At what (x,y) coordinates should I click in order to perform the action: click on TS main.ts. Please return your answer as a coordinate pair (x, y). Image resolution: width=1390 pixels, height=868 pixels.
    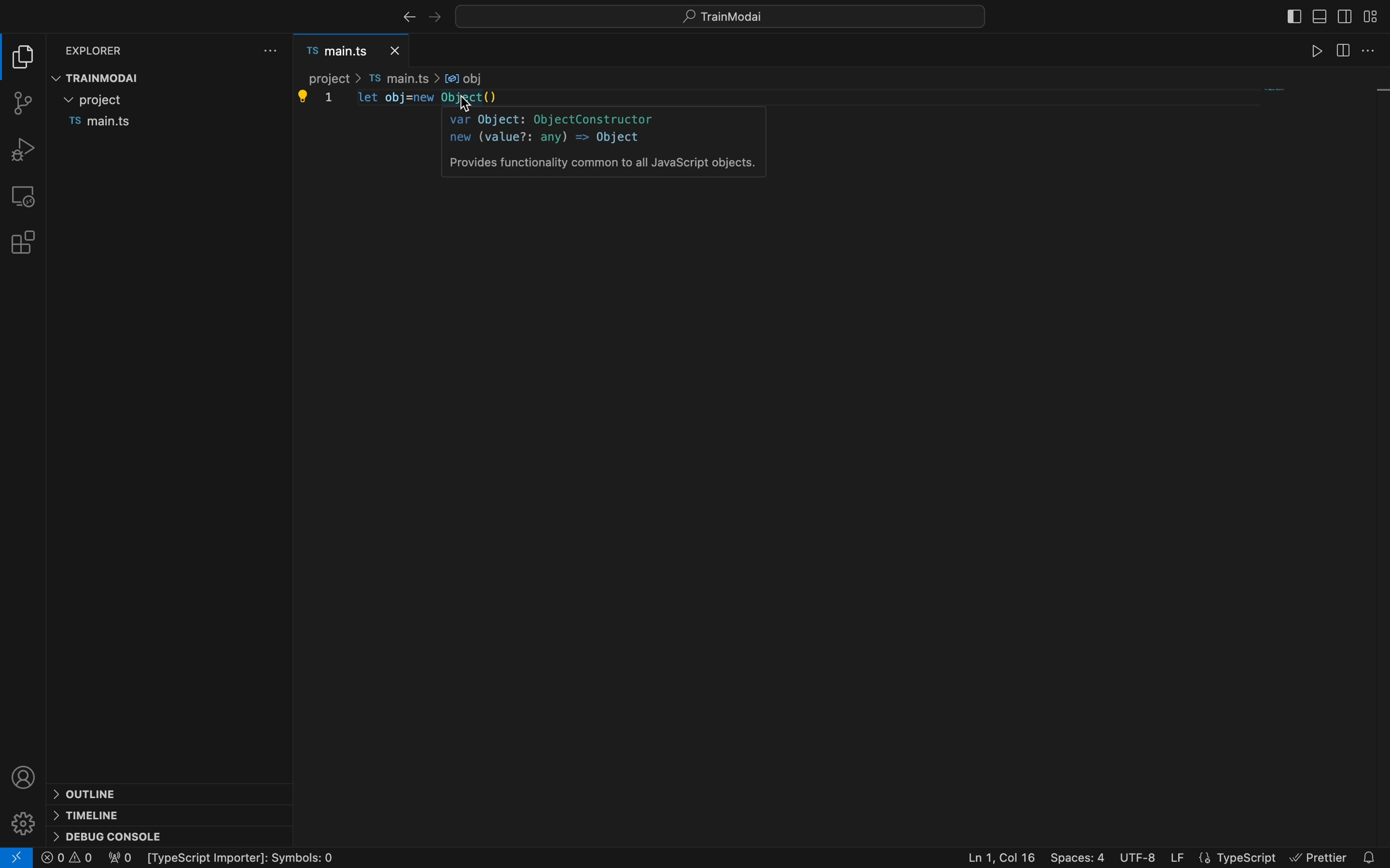
    Looking at the image, I should click on (98, 122).